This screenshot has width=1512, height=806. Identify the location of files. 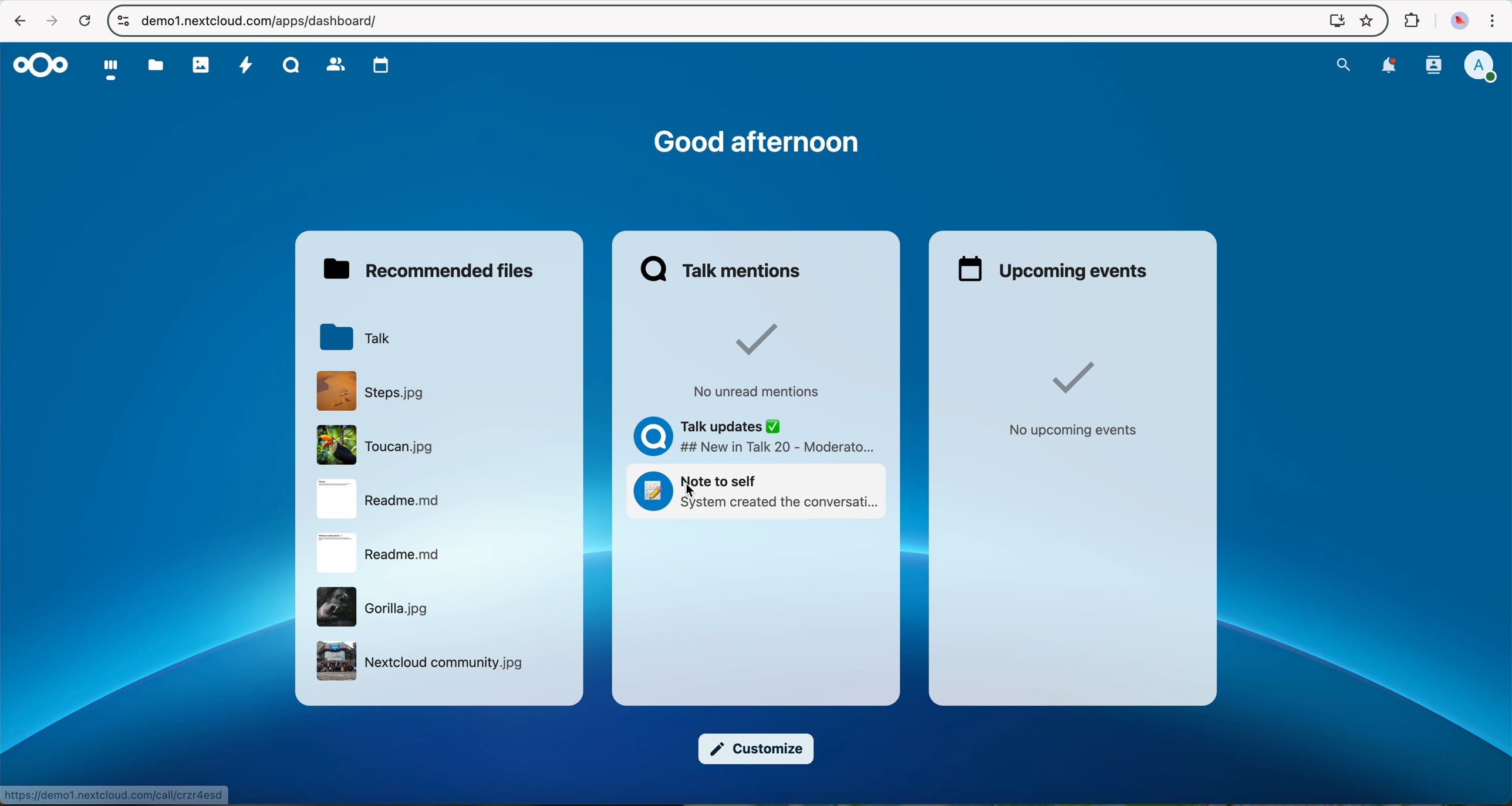
(157, 65).